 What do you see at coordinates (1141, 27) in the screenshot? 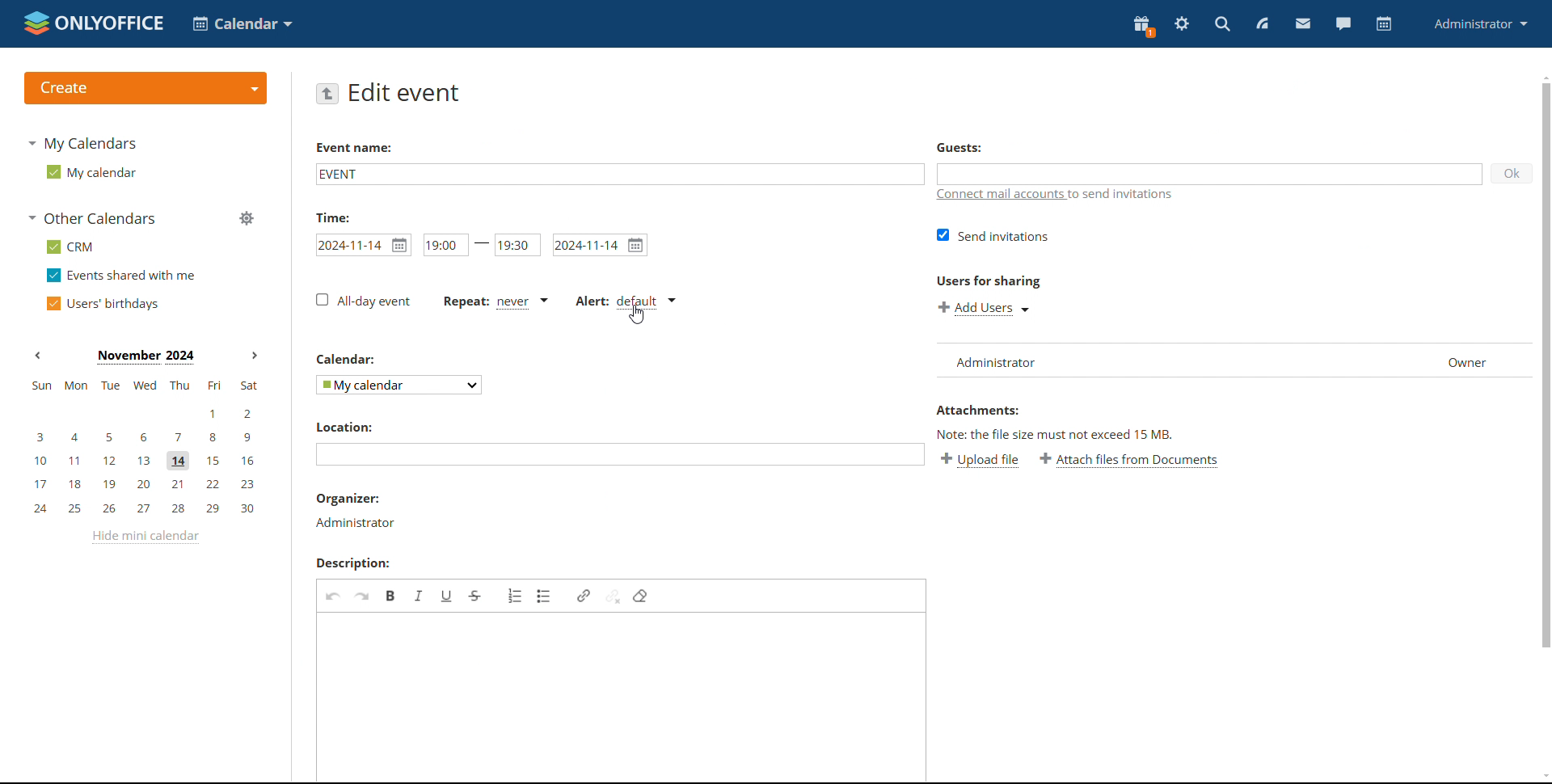
I see `present` at bounding box center [1141, 27].